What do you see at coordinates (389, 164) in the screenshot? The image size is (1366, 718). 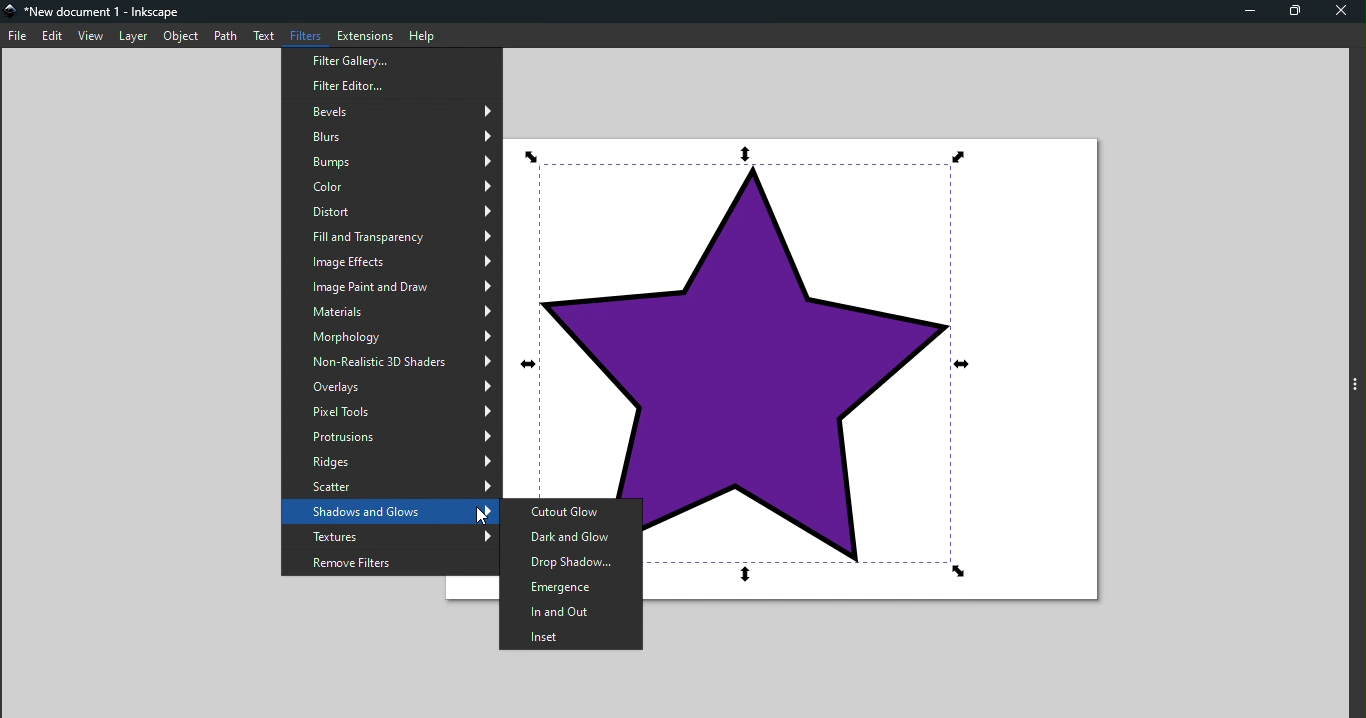 I see `Bumps` at bounding box center [389, 164].